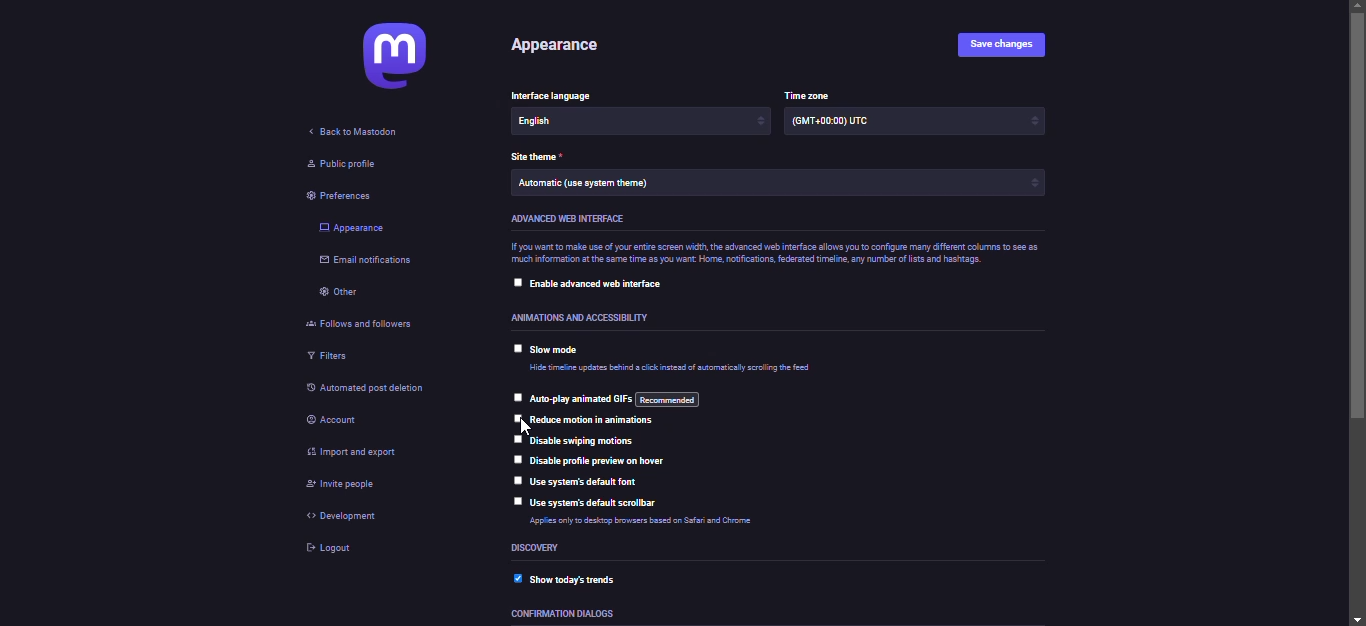  What do you see at coordinates (518, 425) in the screenshot?
I see `cursor` at bounding box center [518, 425].